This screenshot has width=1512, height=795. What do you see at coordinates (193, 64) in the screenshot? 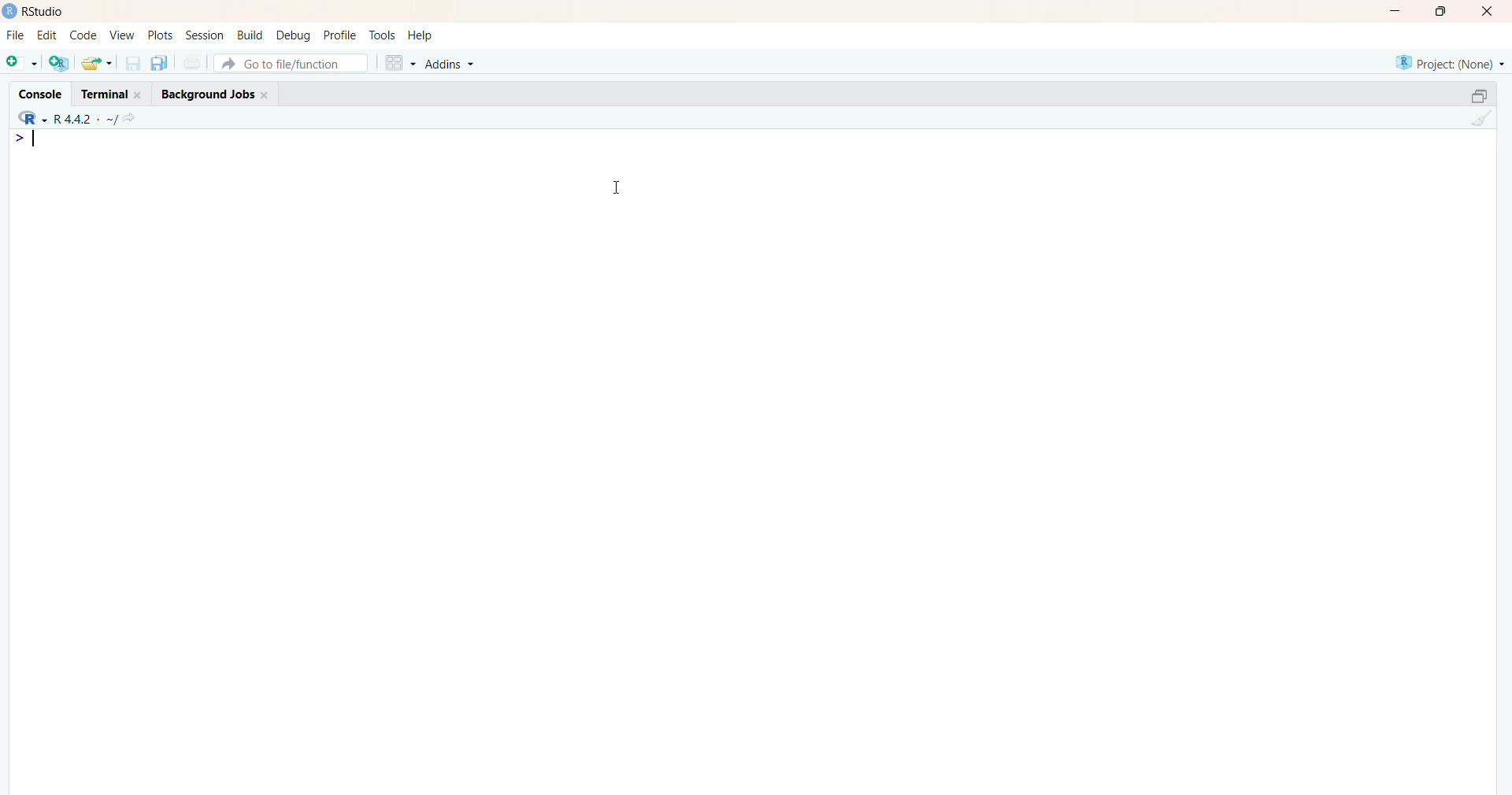
I see `print the current file` at bounding box center [193, 64].